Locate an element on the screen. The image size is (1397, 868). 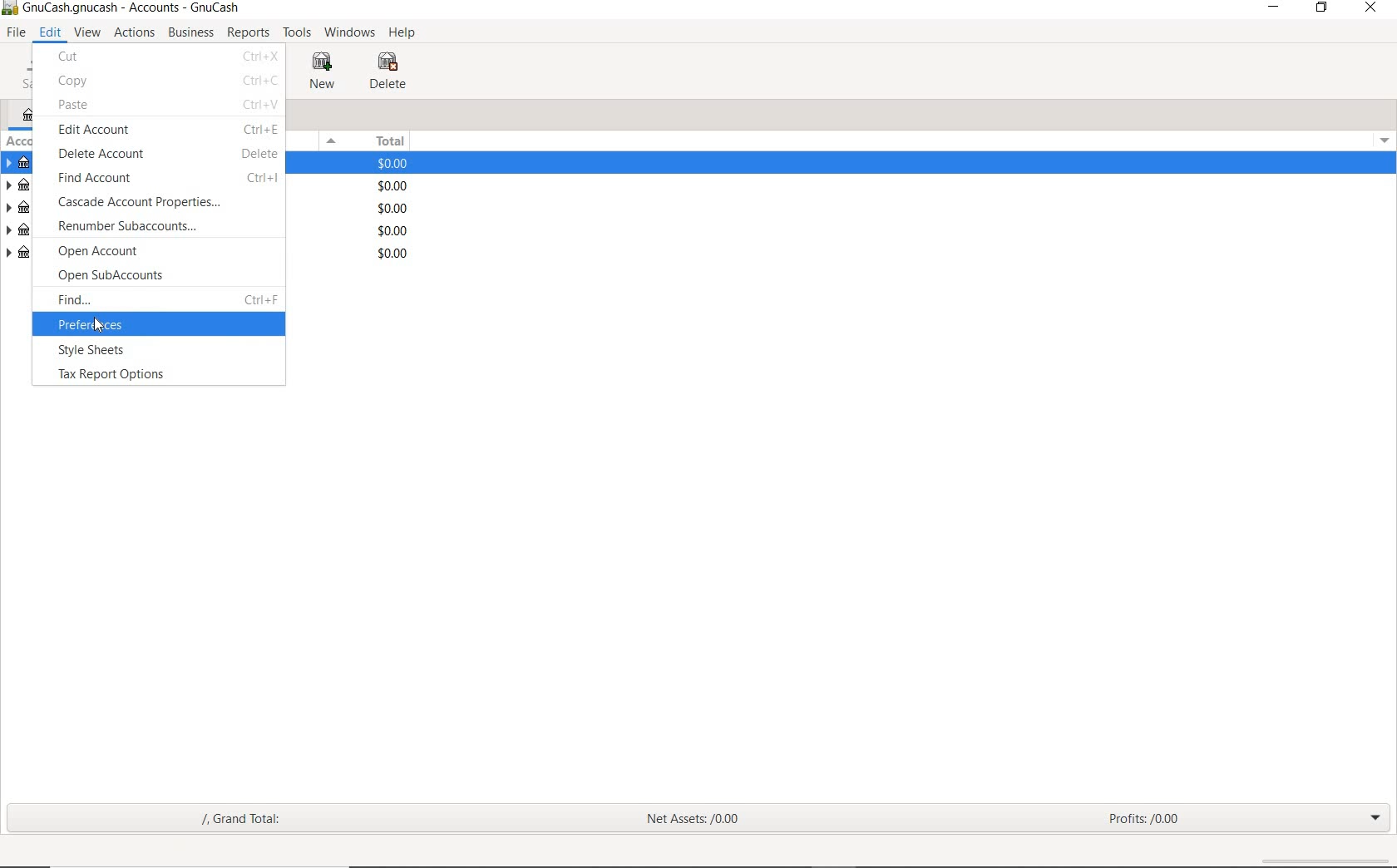
 is located at coordinates (261, 105).